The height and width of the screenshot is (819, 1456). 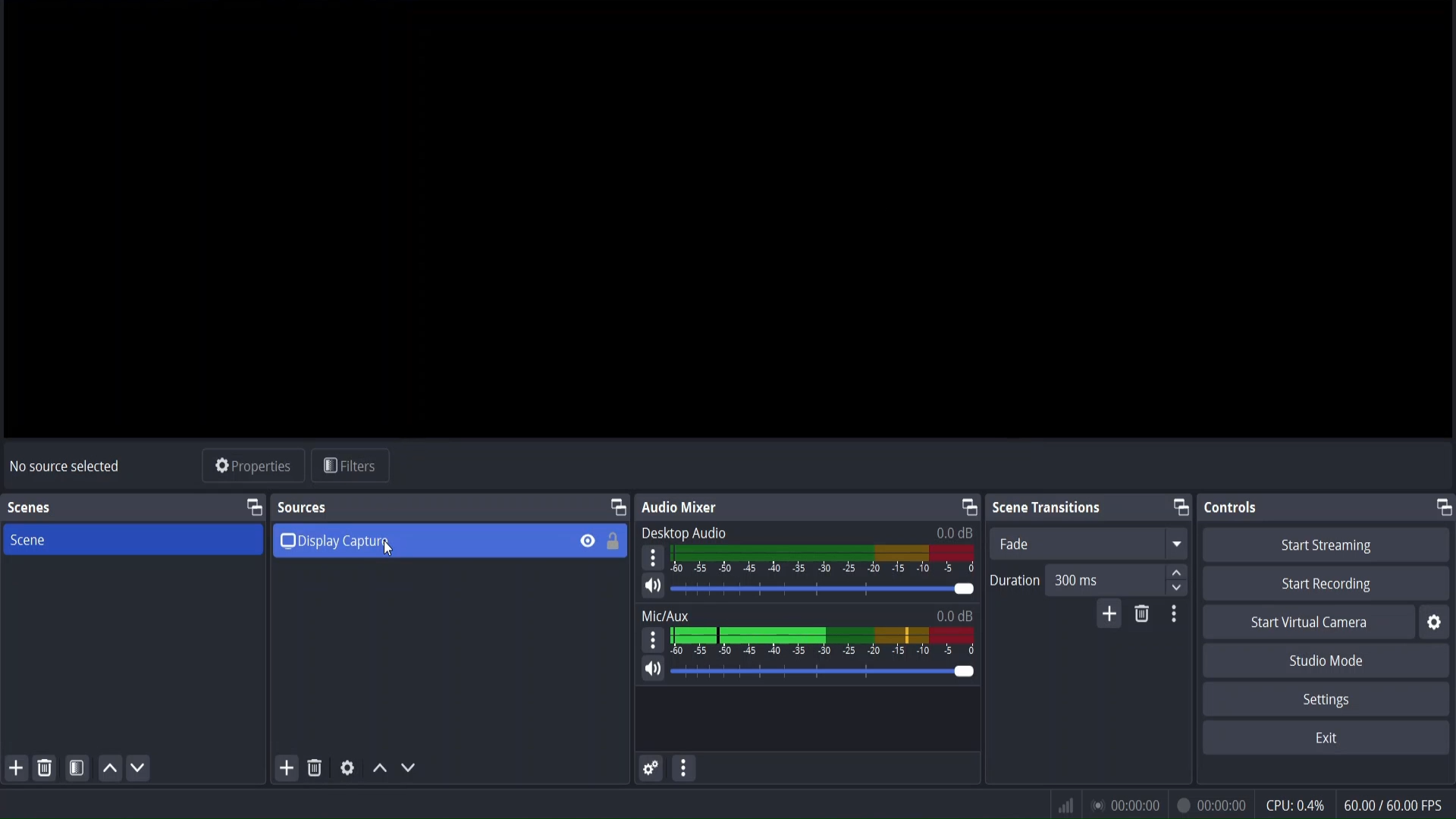 I want to click on desktop audio, so click(x=822, y=562).